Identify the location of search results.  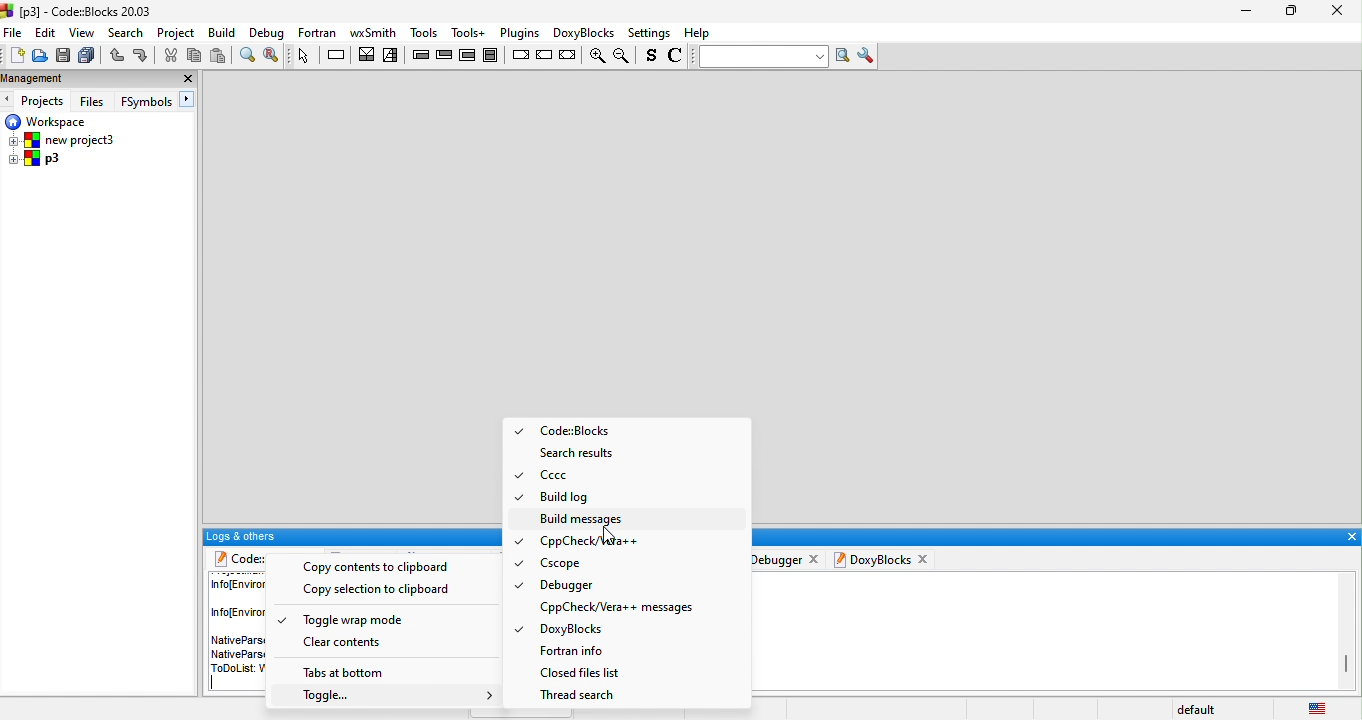
(583, 453).